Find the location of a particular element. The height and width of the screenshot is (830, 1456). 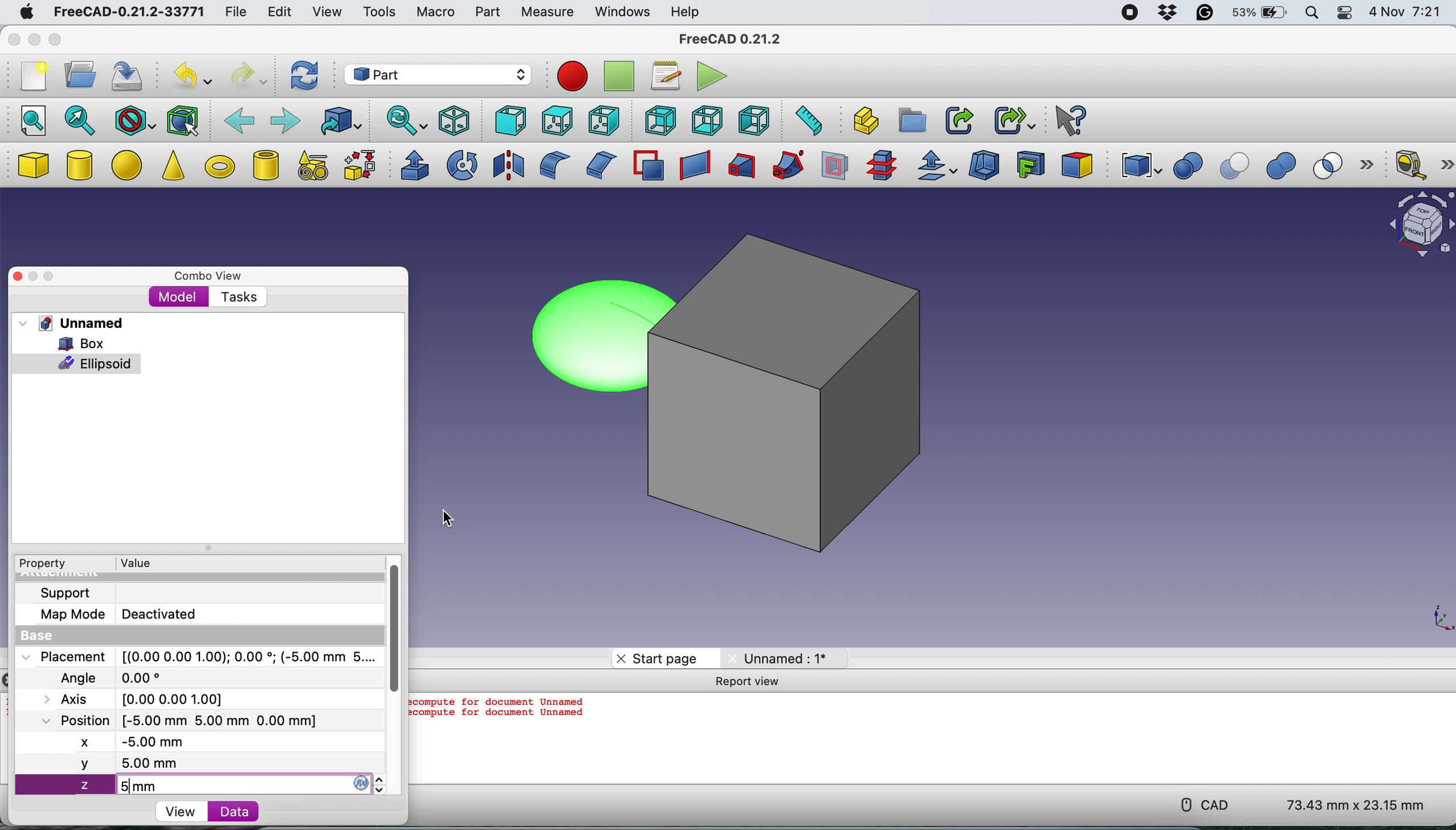

macro is located at coordinates (435, 13).